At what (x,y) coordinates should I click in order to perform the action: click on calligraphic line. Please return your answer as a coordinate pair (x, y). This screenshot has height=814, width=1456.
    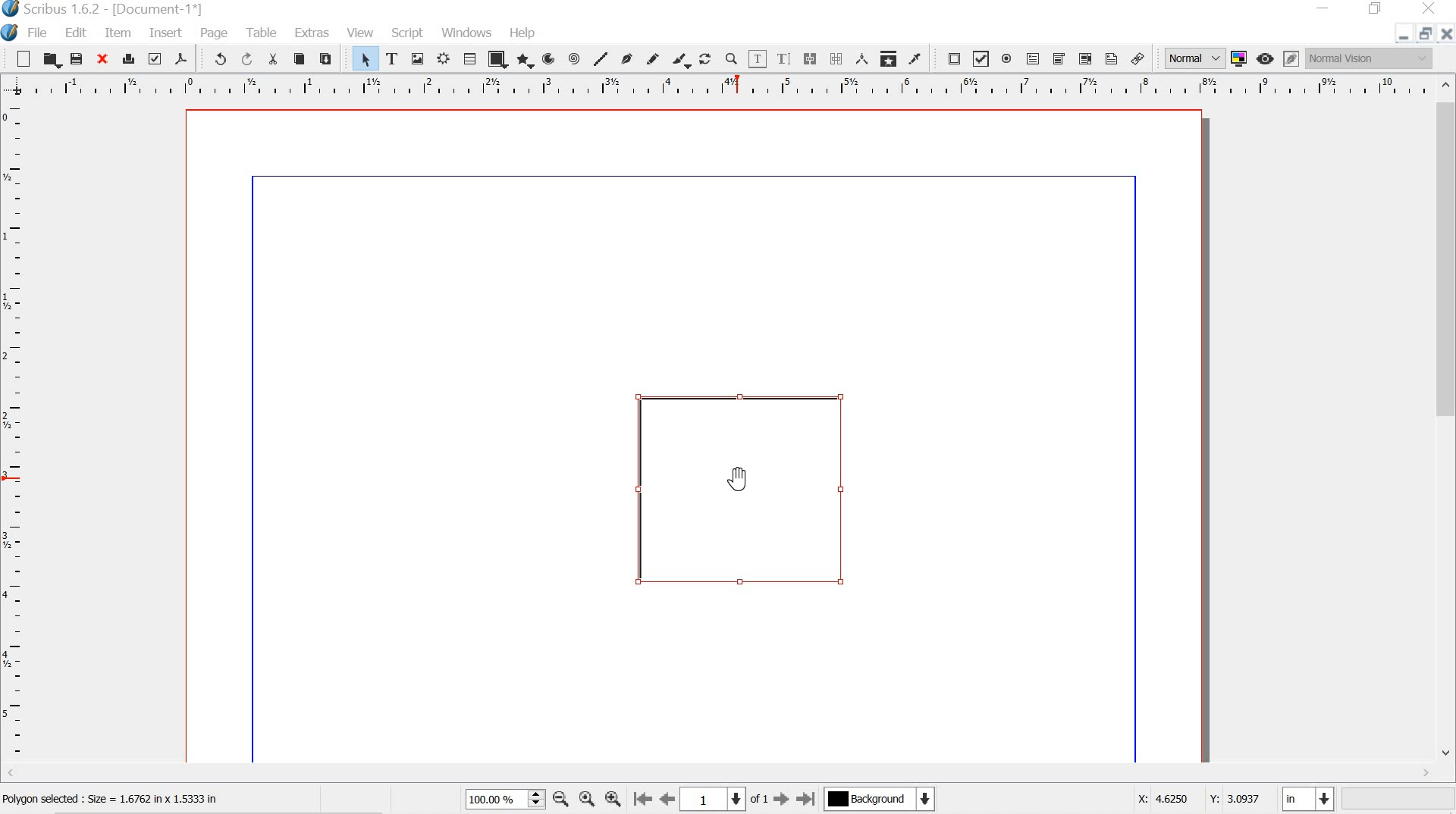
    Looking at the image, I should click on (681, 60).